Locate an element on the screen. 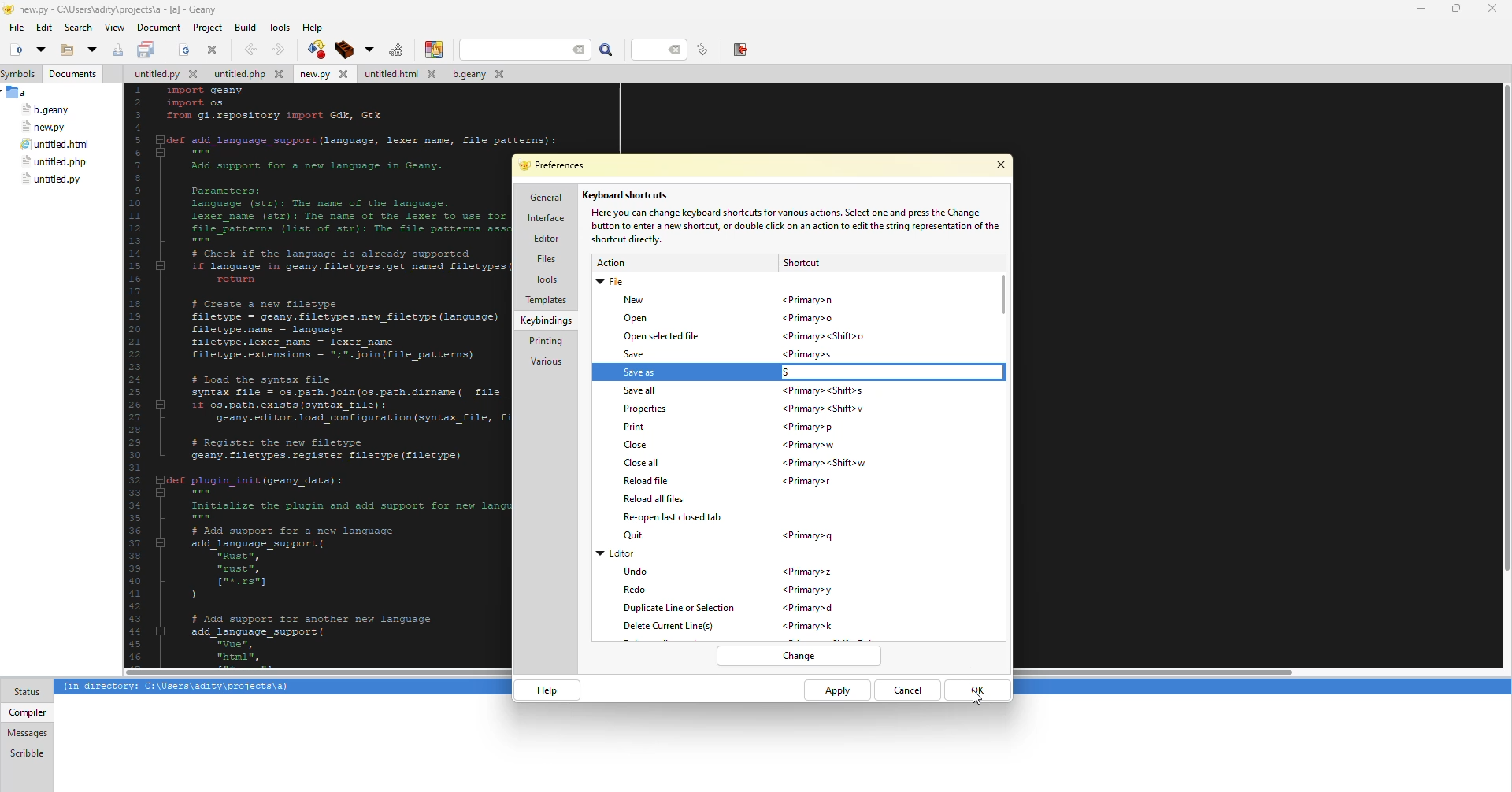 The width and height of the screenshot is (1512, 792). save as is located at coordinates (643, 372).